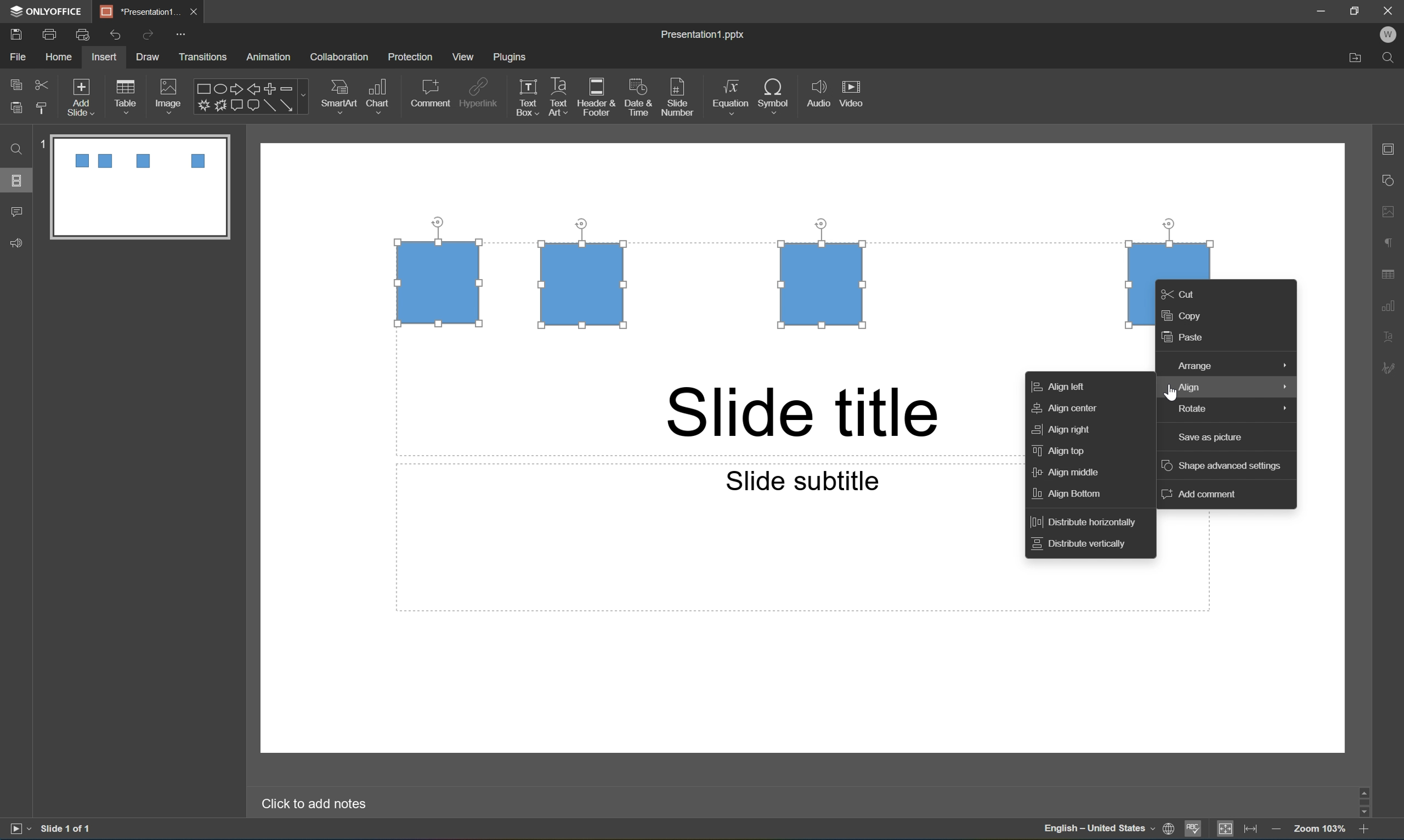 The image size is (1404, 840). Describe the element at coordinates (803, 413) in the screenshot. I see `slide title` at that location.